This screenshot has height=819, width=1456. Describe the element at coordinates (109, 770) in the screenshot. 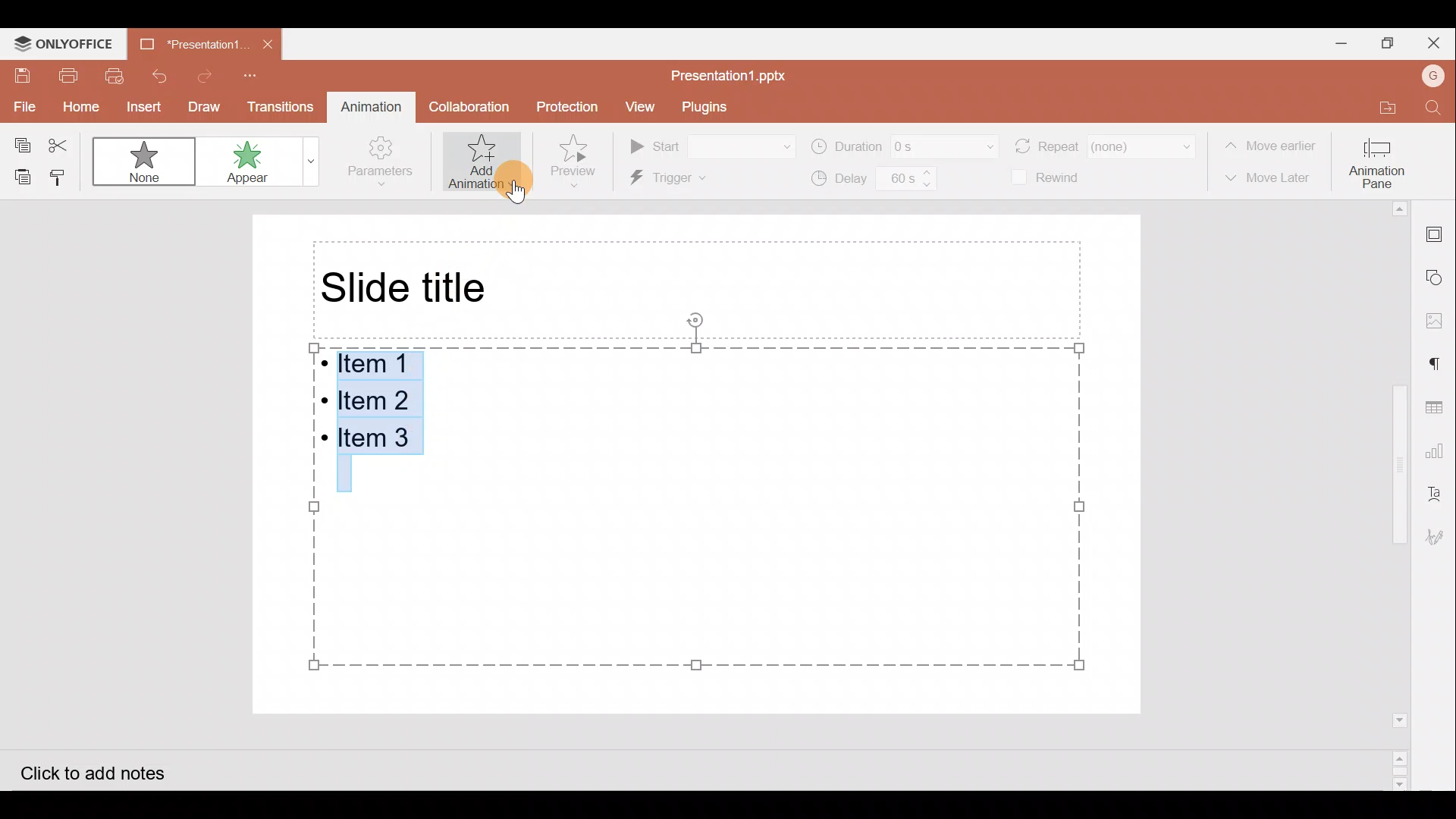

I see `Click to add notes` at that location.